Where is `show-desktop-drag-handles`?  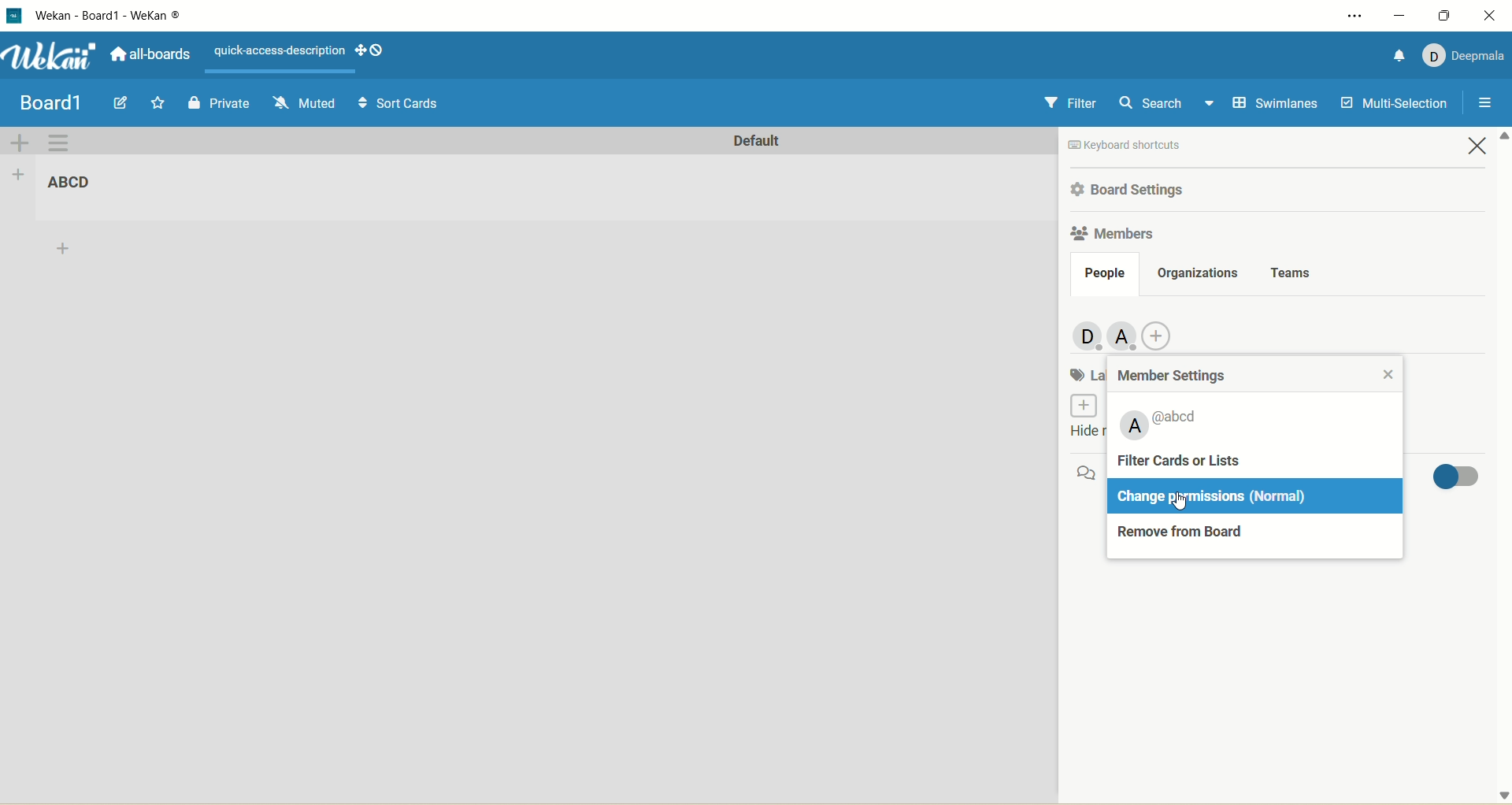 show-desktop-drag-handles is located at coordinates (360, 50).